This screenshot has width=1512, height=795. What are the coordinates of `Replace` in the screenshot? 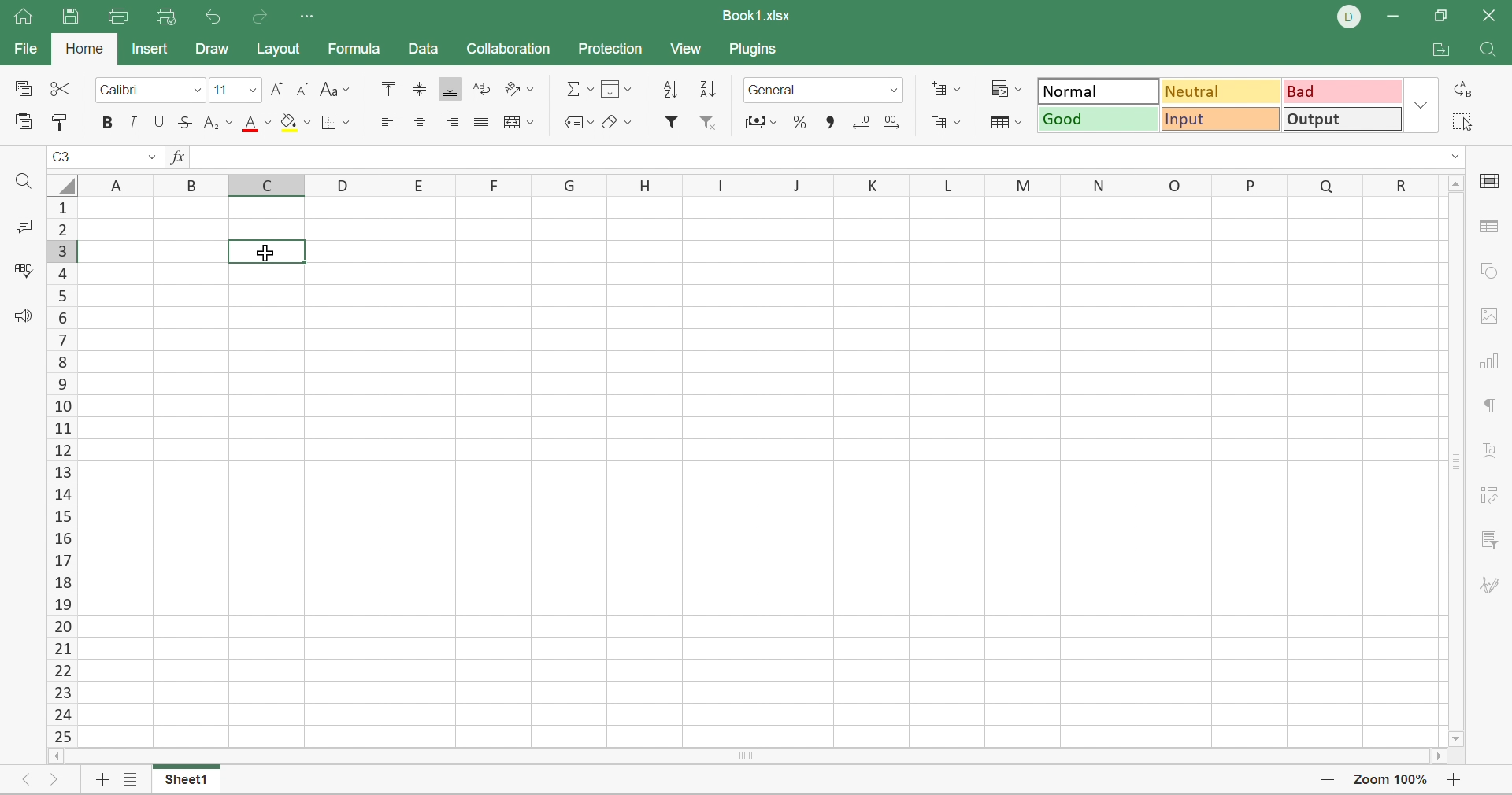 It's located at (1458, 90).